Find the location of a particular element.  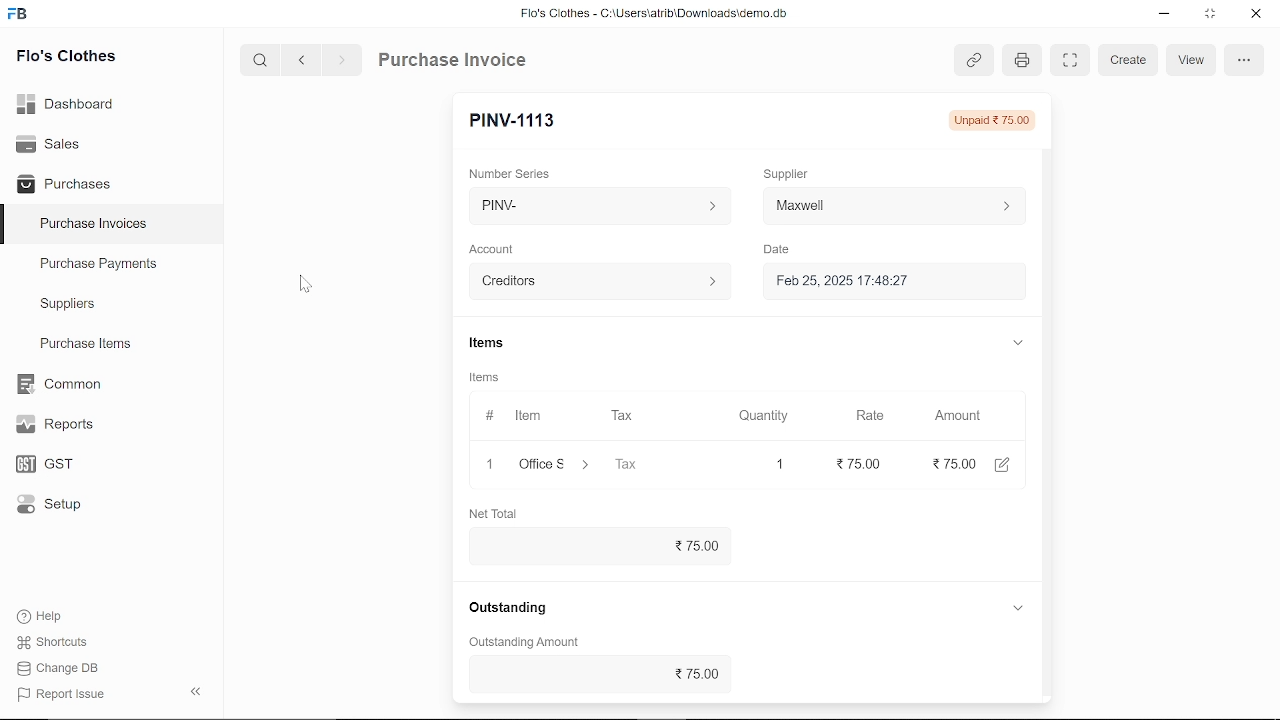

 Feb 25, 2025 17:48:27 is located at coordinates (874, 281).